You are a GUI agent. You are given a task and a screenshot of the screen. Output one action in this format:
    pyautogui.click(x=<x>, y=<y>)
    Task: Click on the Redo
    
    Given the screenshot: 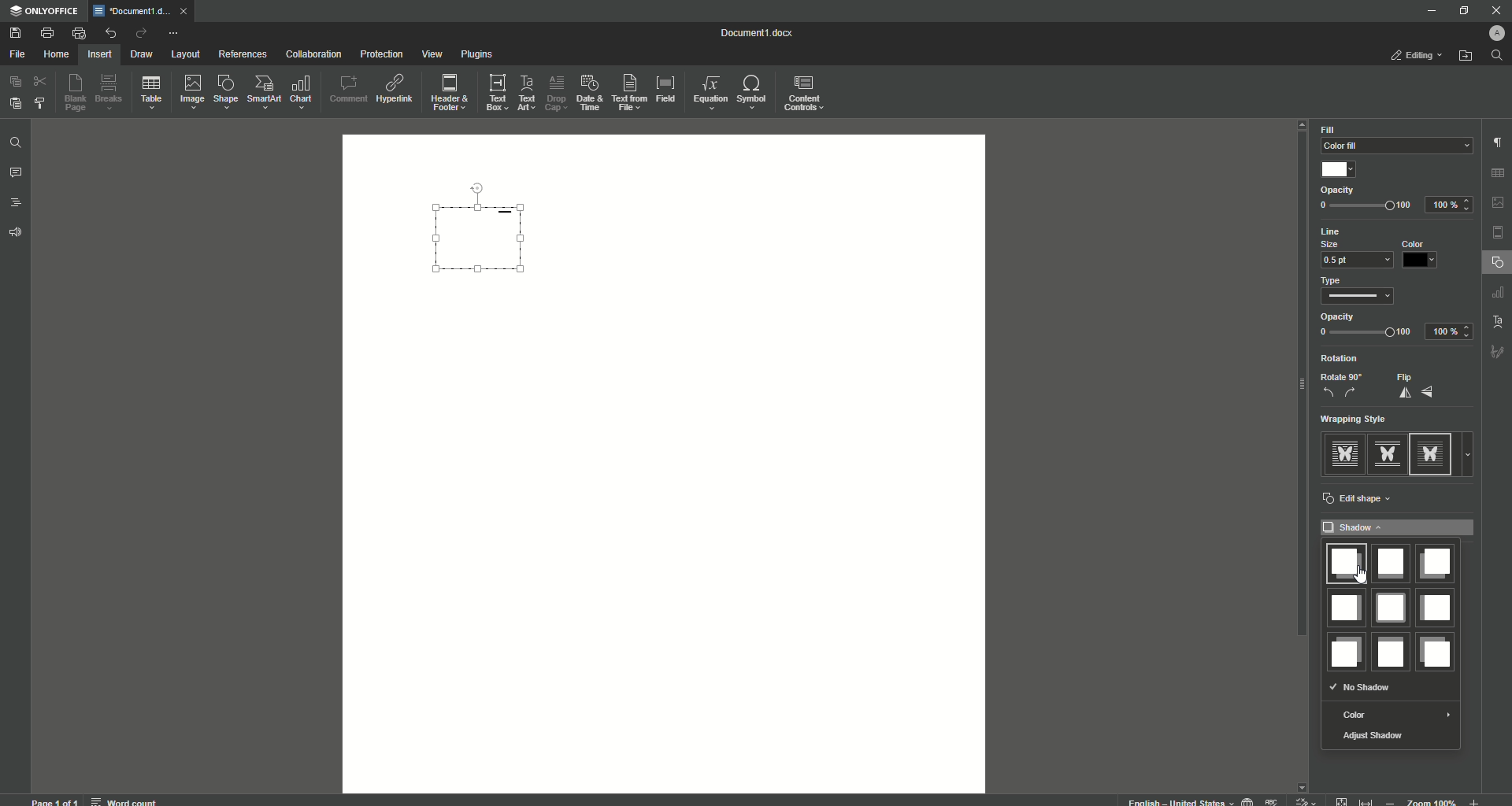 What is the action you would take?
    pyautogui.click(x=140, y=35)
    